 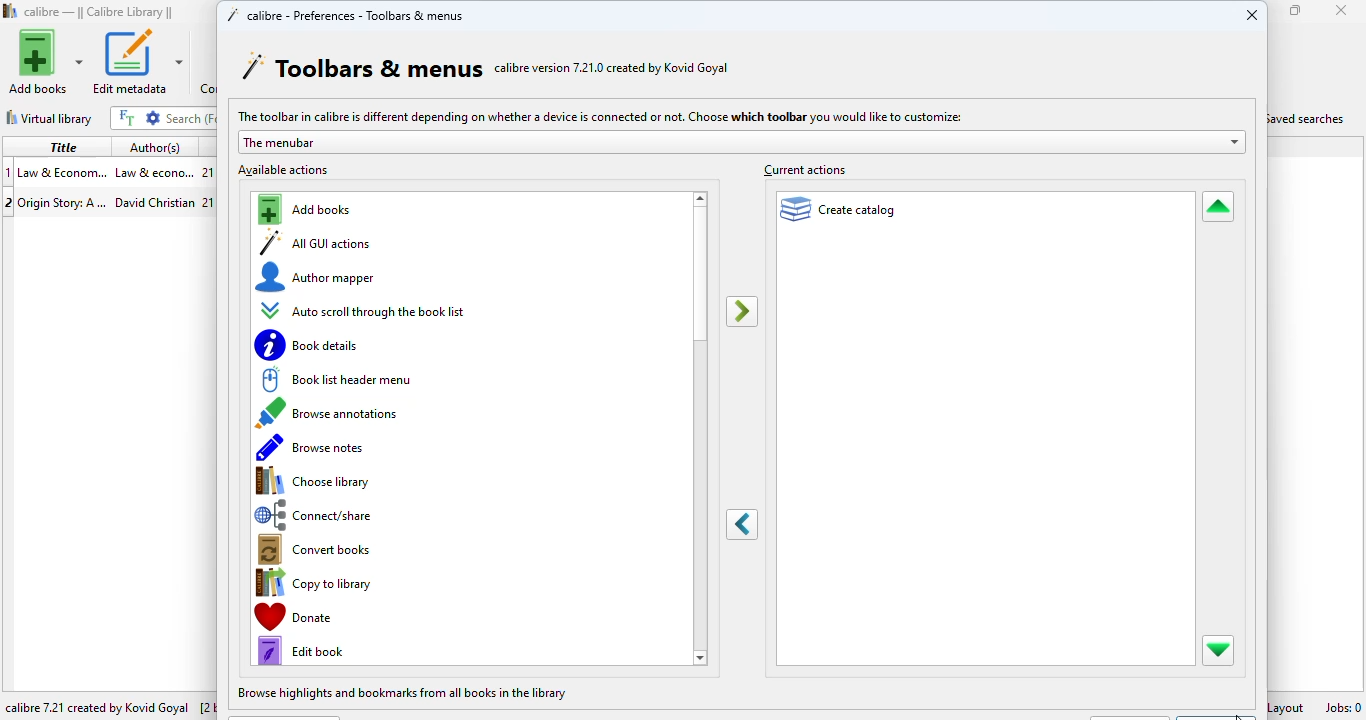 I want to click on edit book, so click(x=304, y=650).